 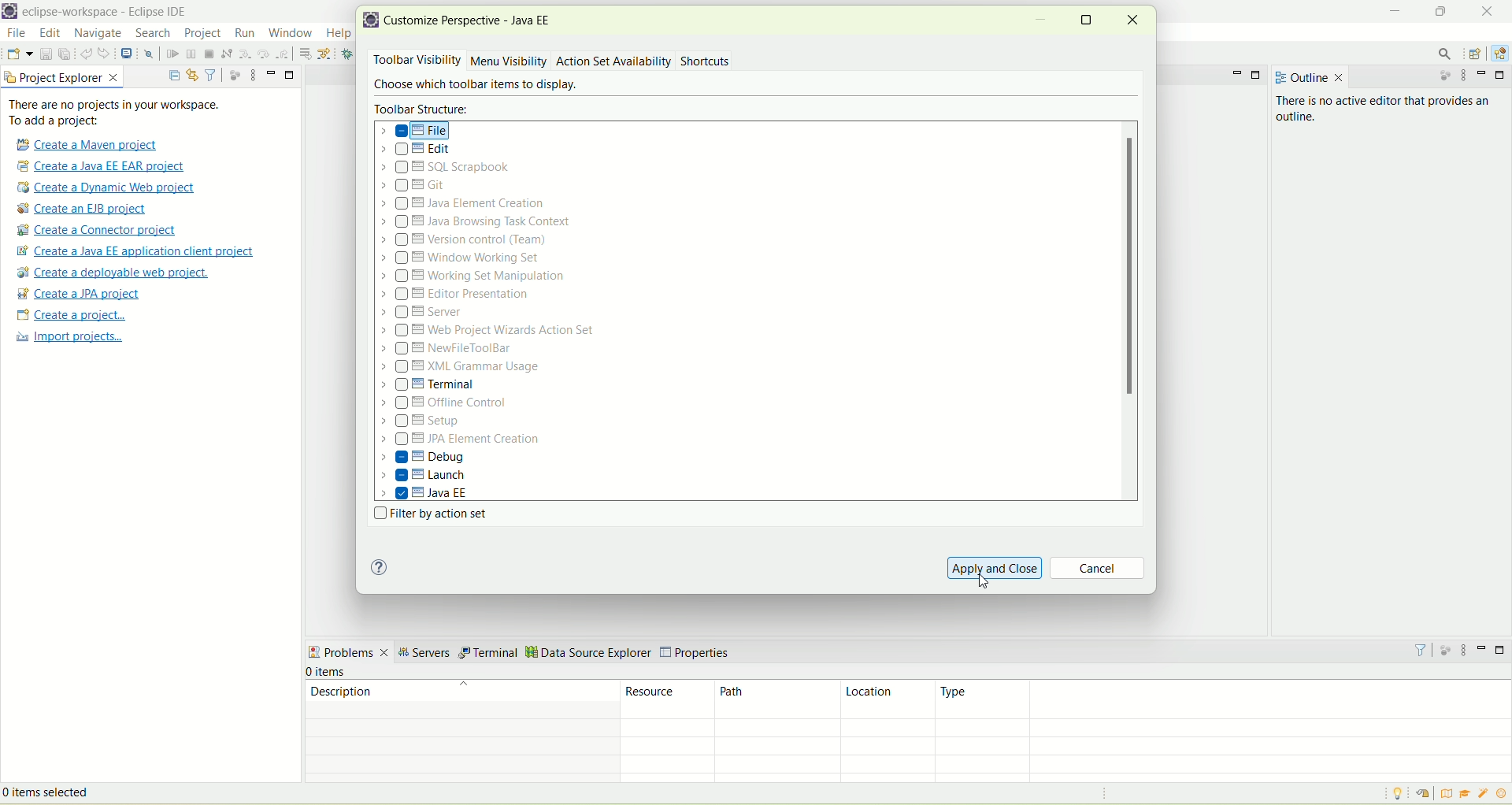 I want to click on project, so click(x=202, y=33).